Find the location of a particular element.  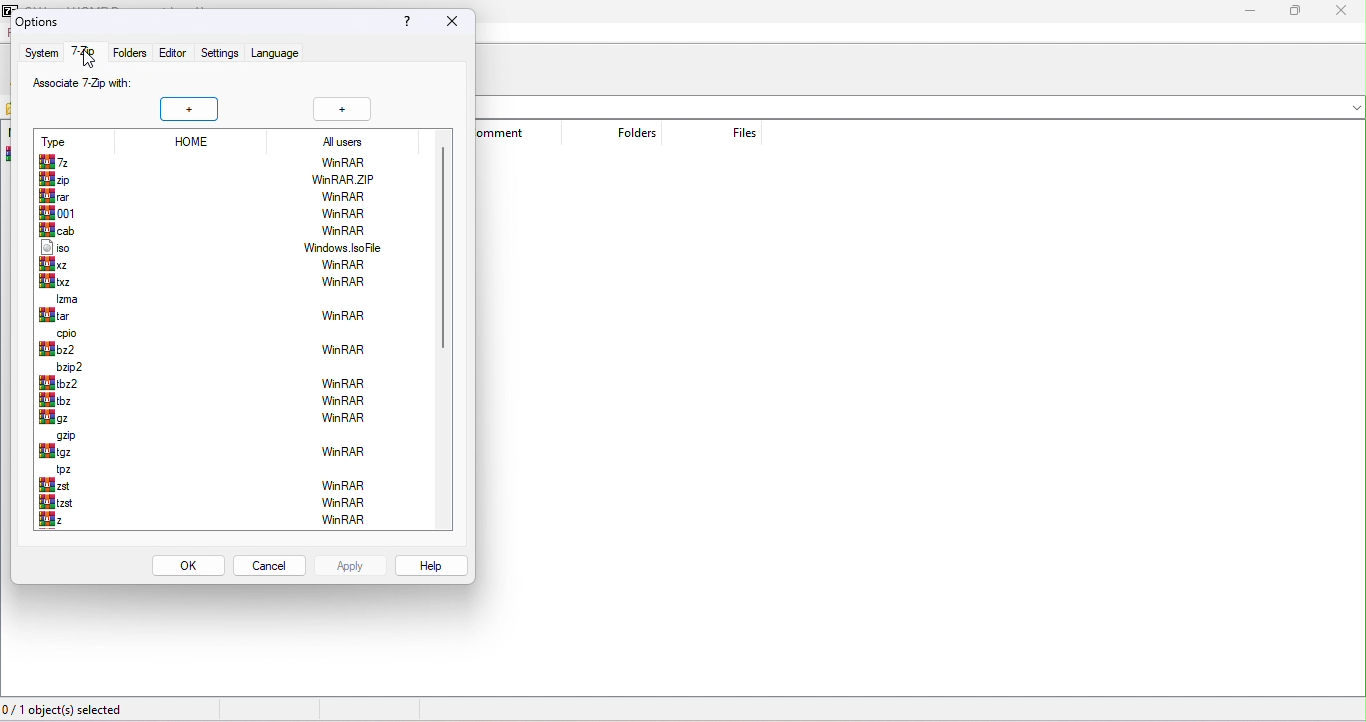

vertical scroll bar is located at coordinates (442, 248).